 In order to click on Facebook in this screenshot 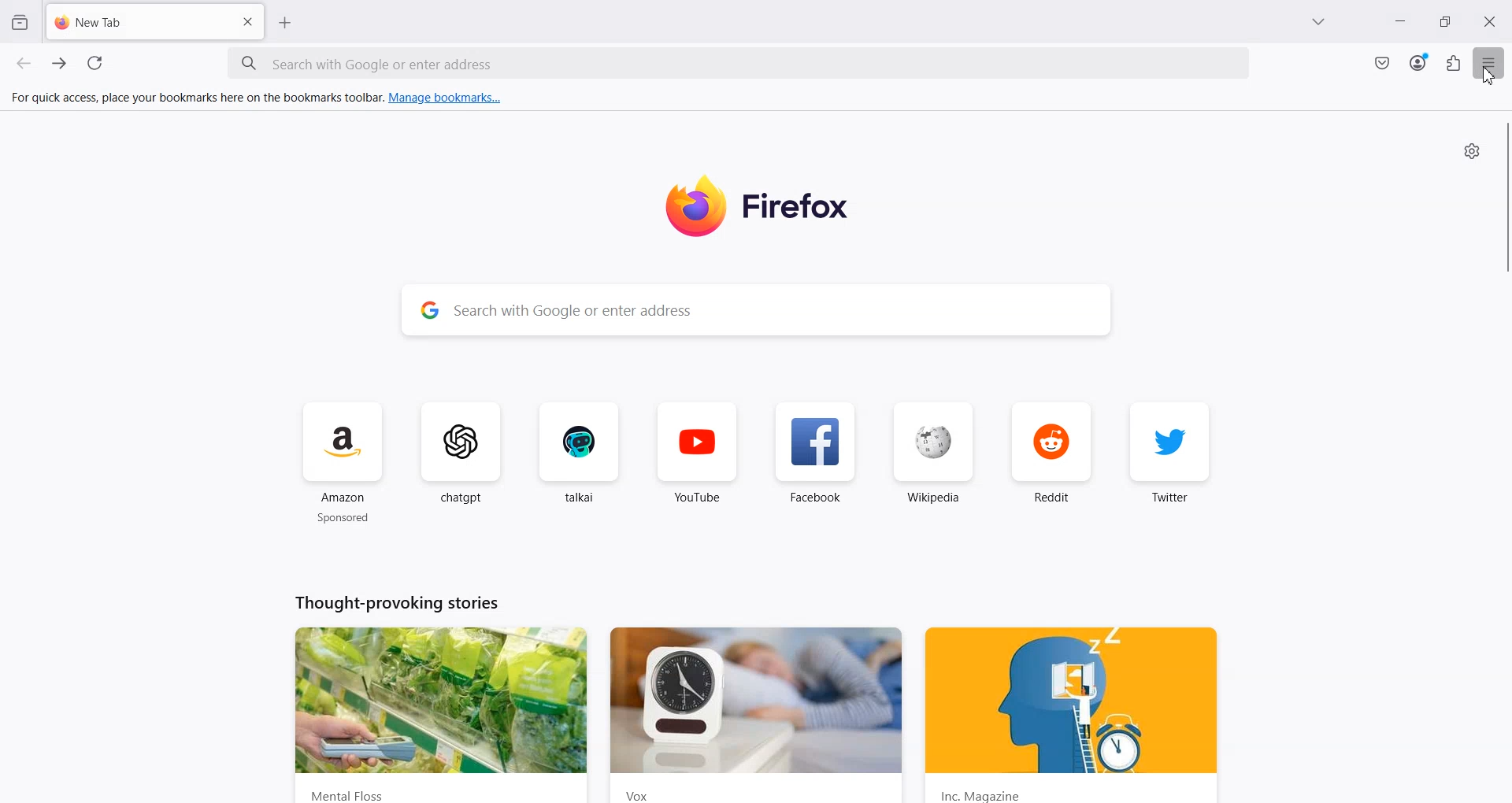, I will do `click(815, 464)`.